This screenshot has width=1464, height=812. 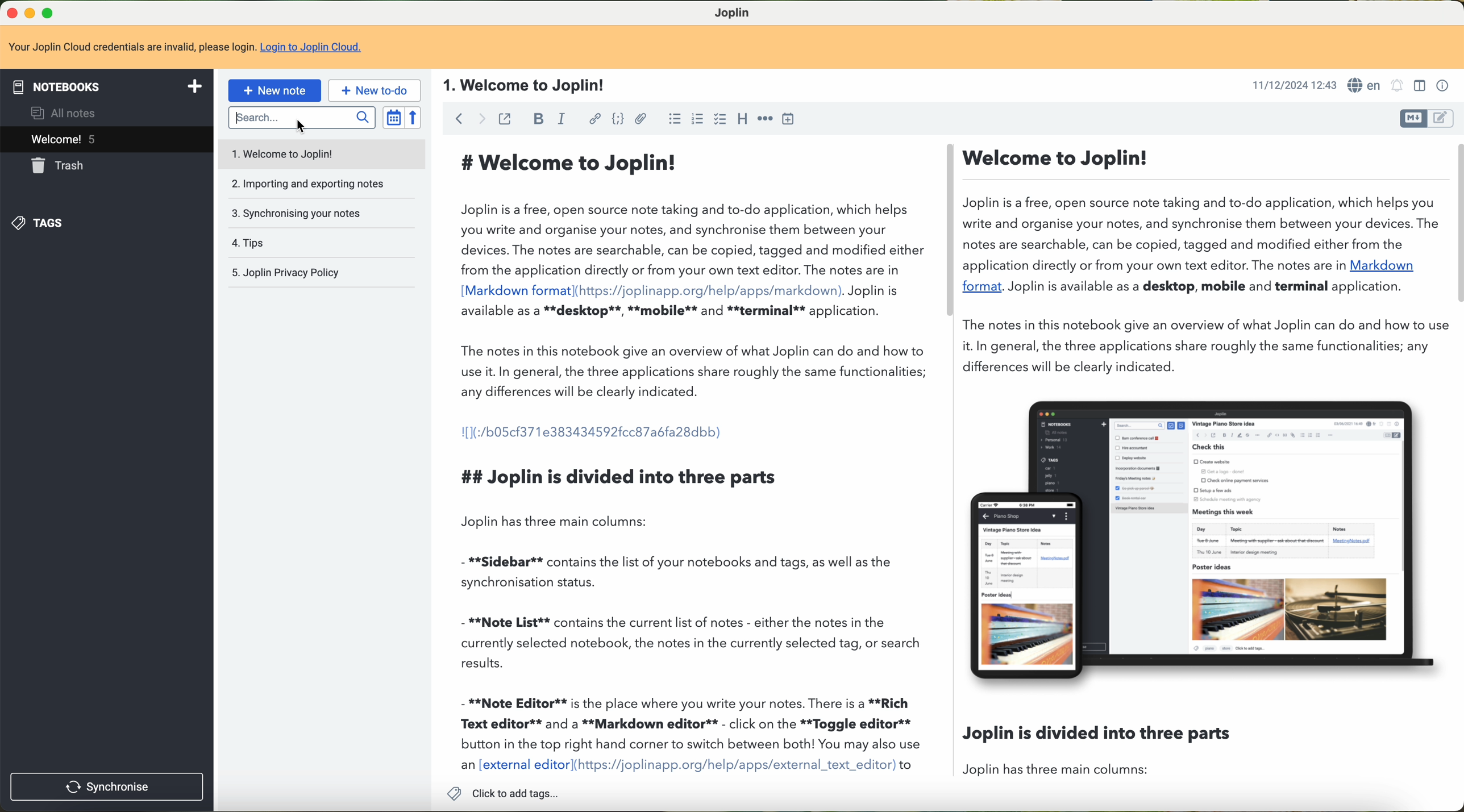 What do you see at coordinates (521, 86) in the screenshot?
I see `1.Welcome to Joplin!` at bounding box center [521, 86].